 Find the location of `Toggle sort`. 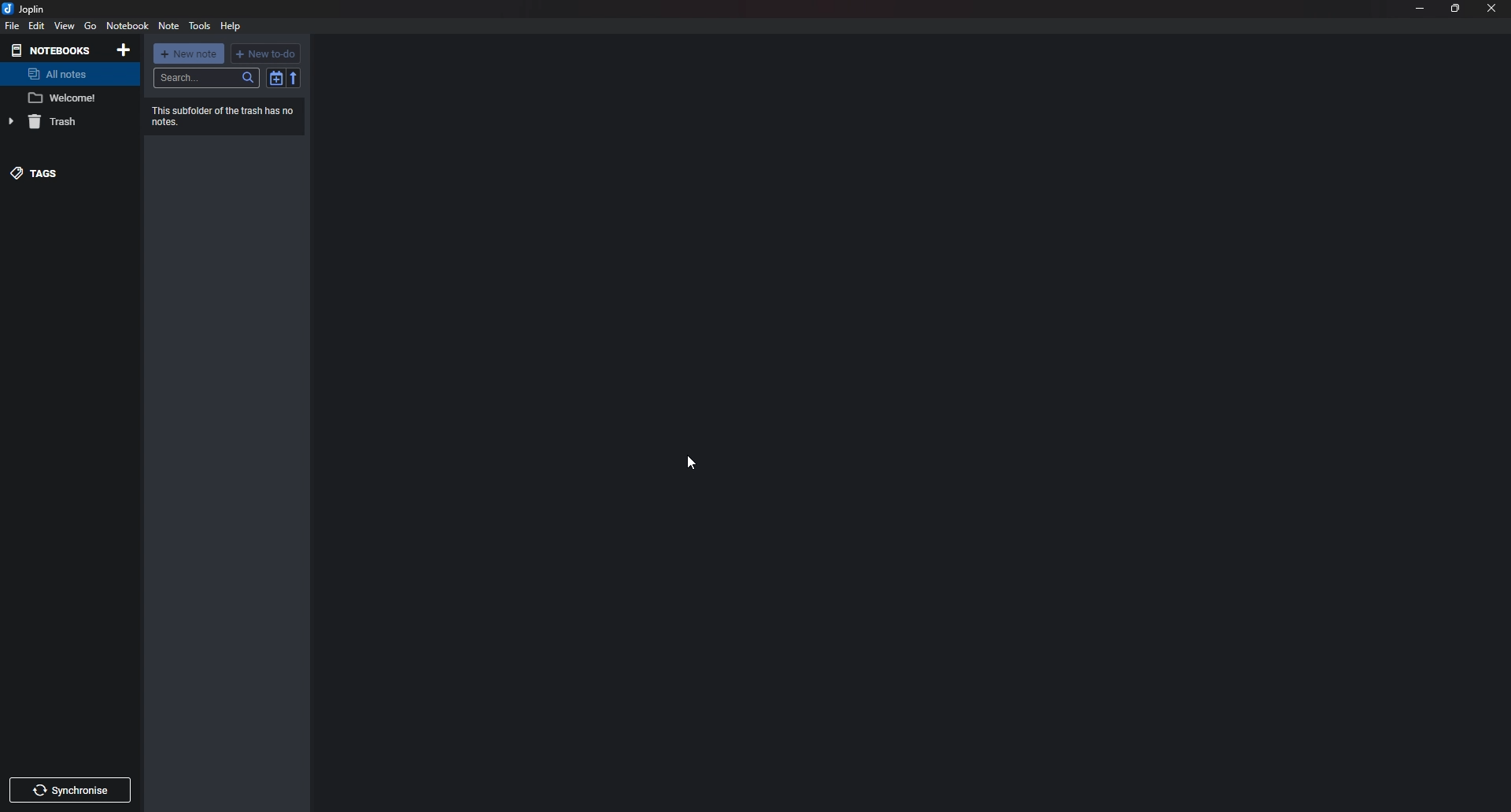

Toggle sort is located at coordinates (276, 77).